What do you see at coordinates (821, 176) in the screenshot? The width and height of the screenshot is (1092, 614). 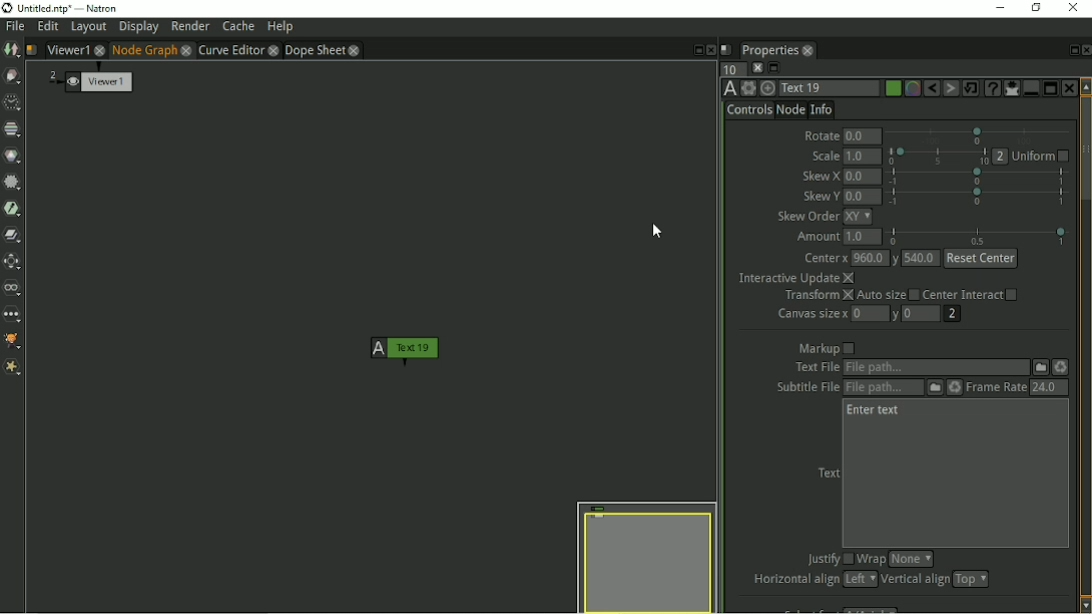 I see `Skew X` at bounding box center [821, 176].